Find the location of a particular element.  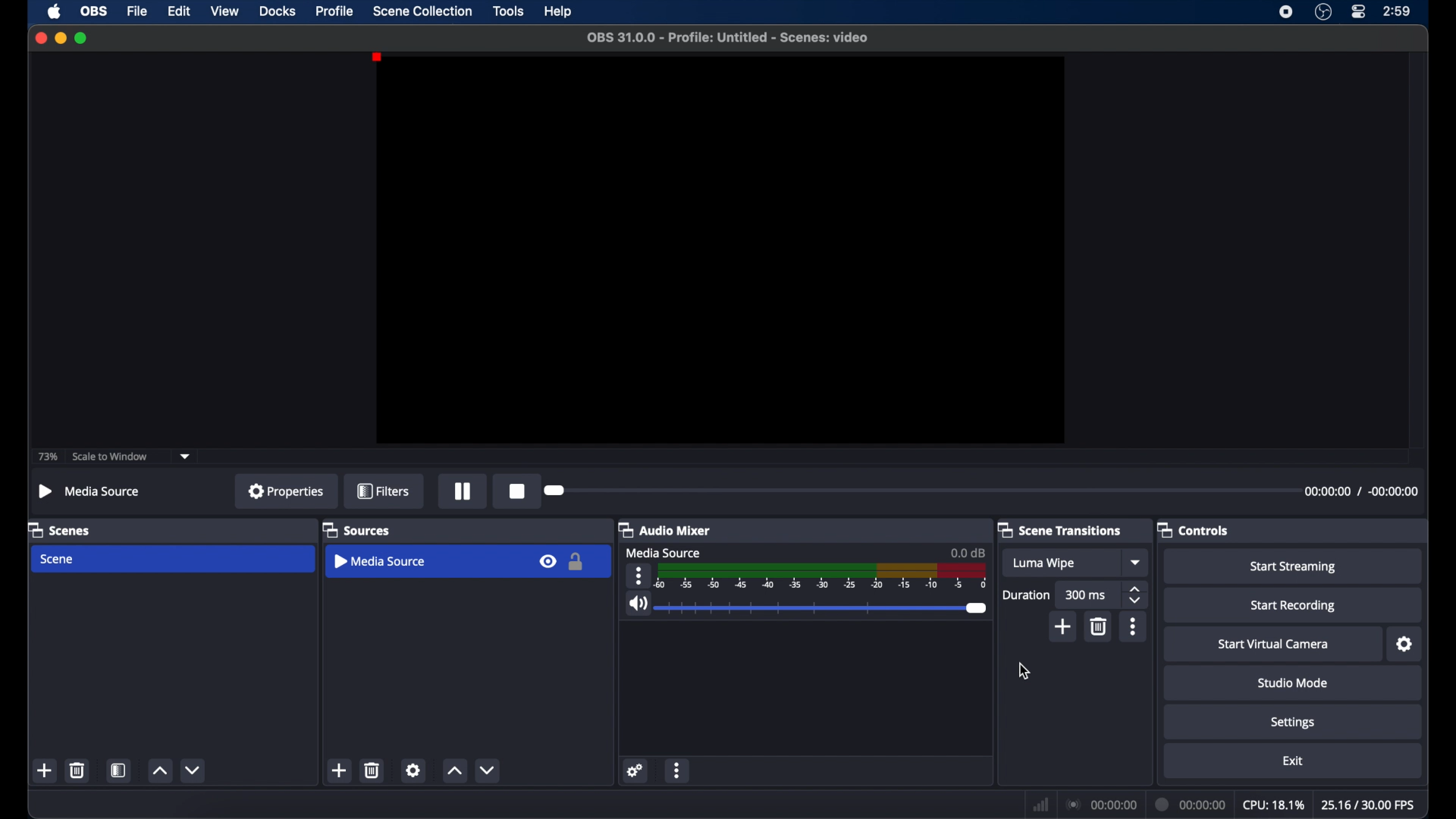

0.0 is located at coordinates (968, 552).